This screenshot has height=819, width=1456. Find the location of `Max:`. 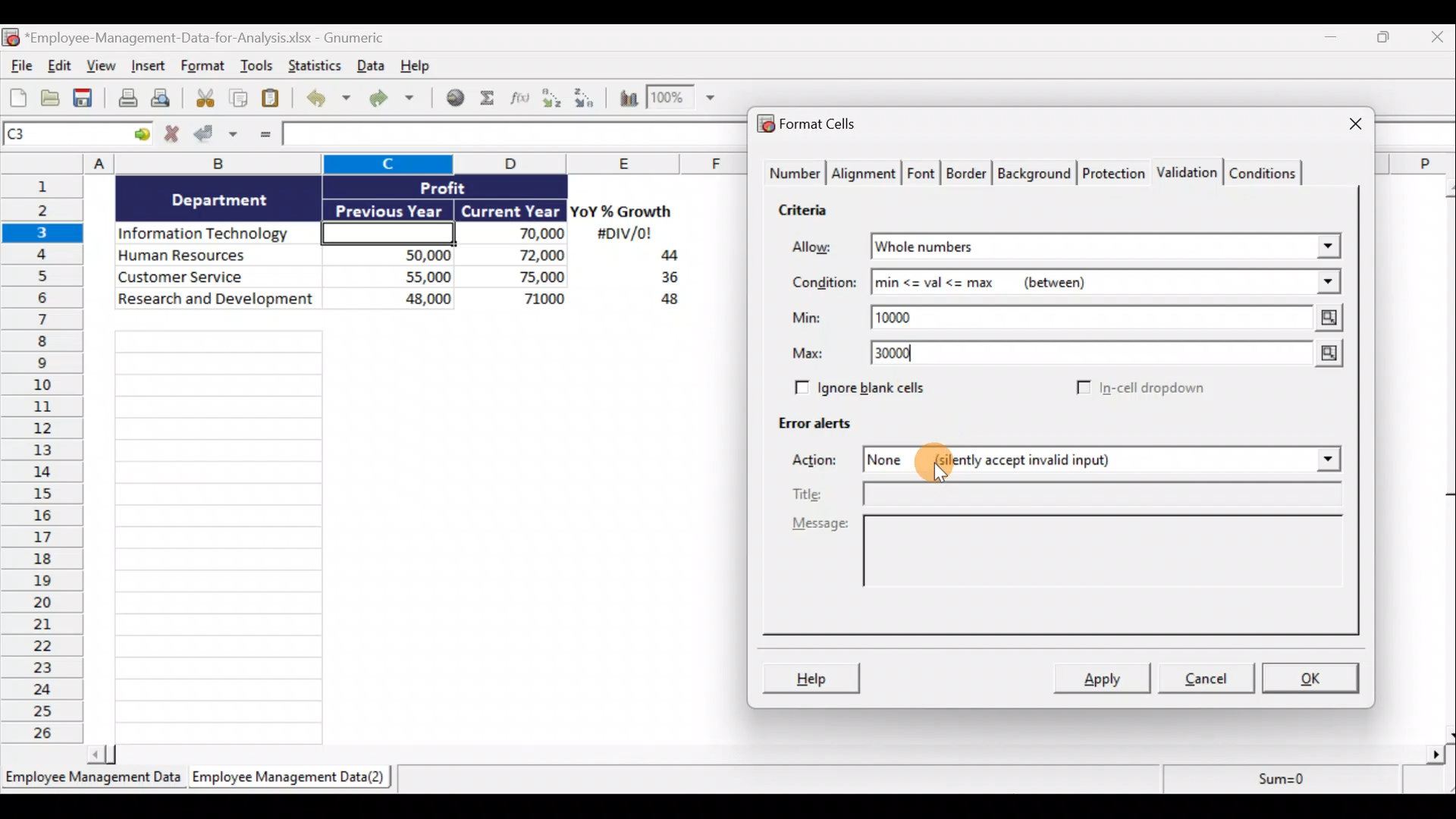

Max: is located at coordinates (808, 356).